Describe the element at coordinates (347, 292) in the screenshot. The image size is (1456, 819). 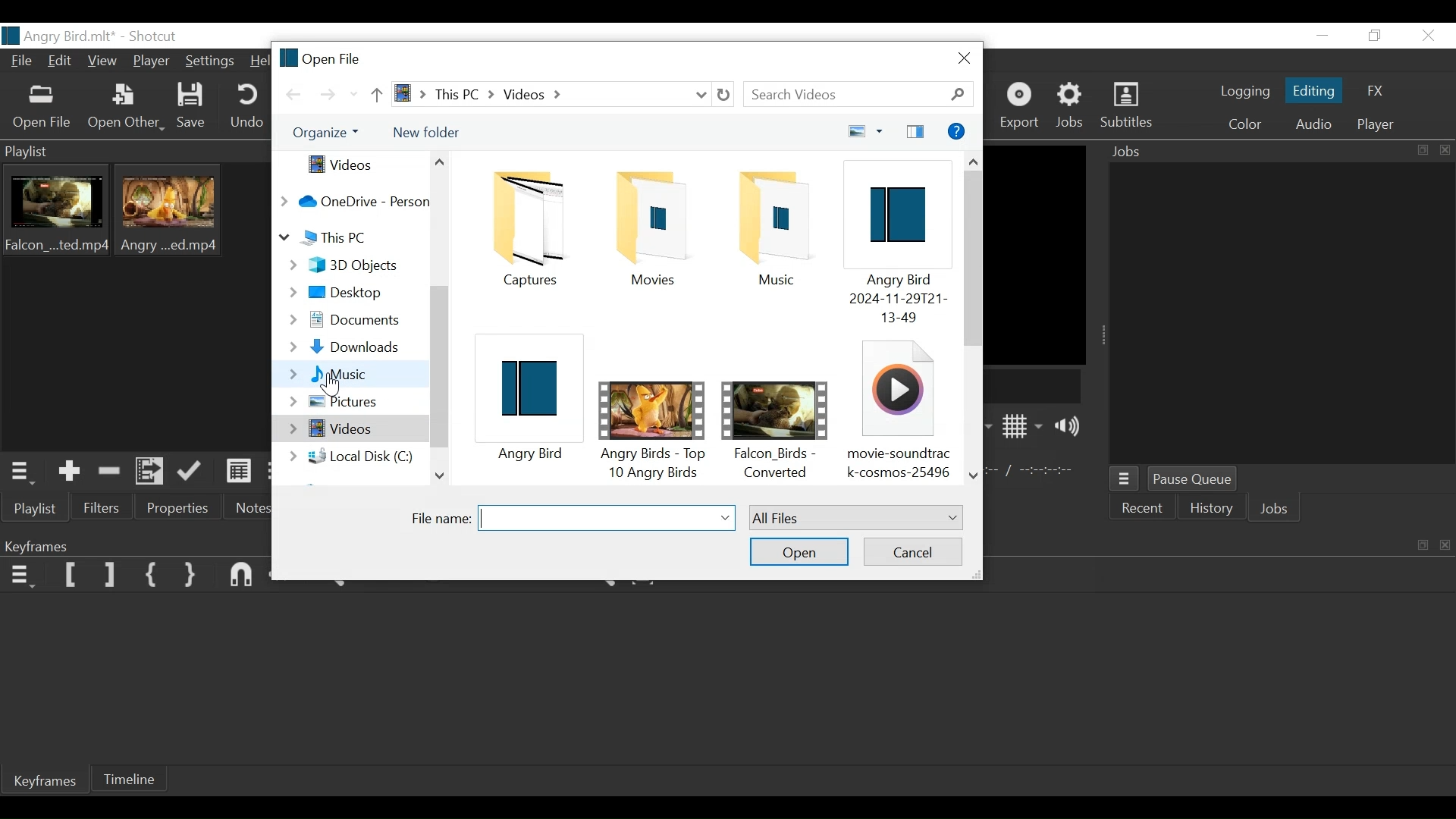
I see `Desktop` at that location.